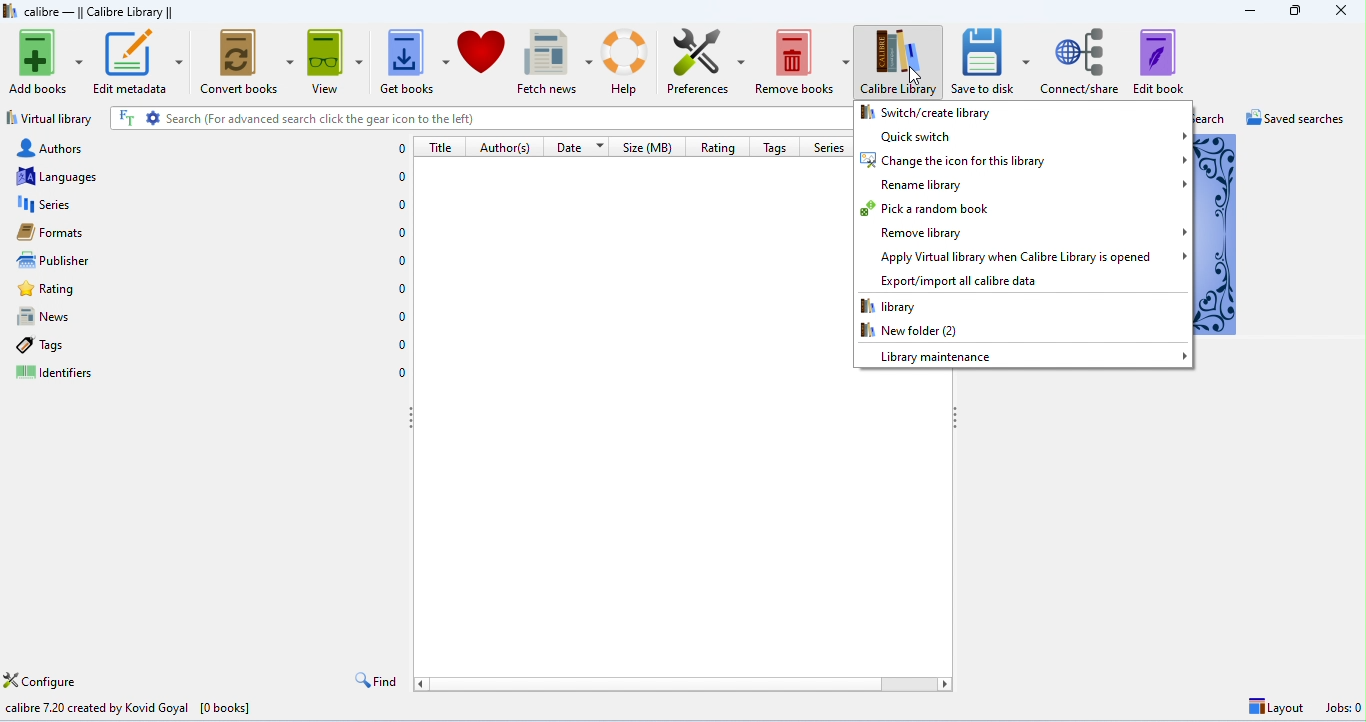  What do you see at coordinates (209, 344) in the screenshot?
I see `tags` at bounding box center [209, 344].